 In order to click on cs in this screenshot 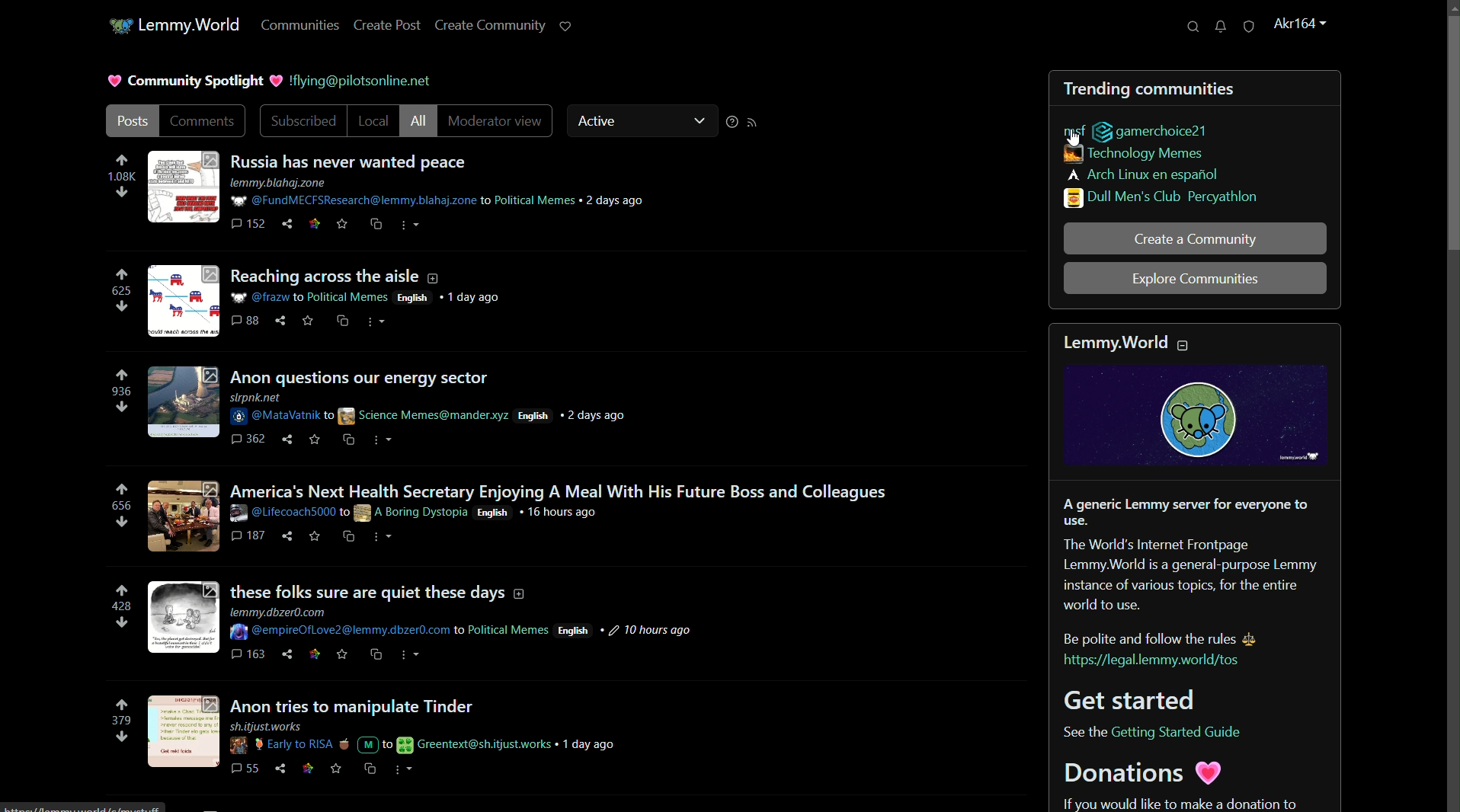, I will do `click(347, 436)`.